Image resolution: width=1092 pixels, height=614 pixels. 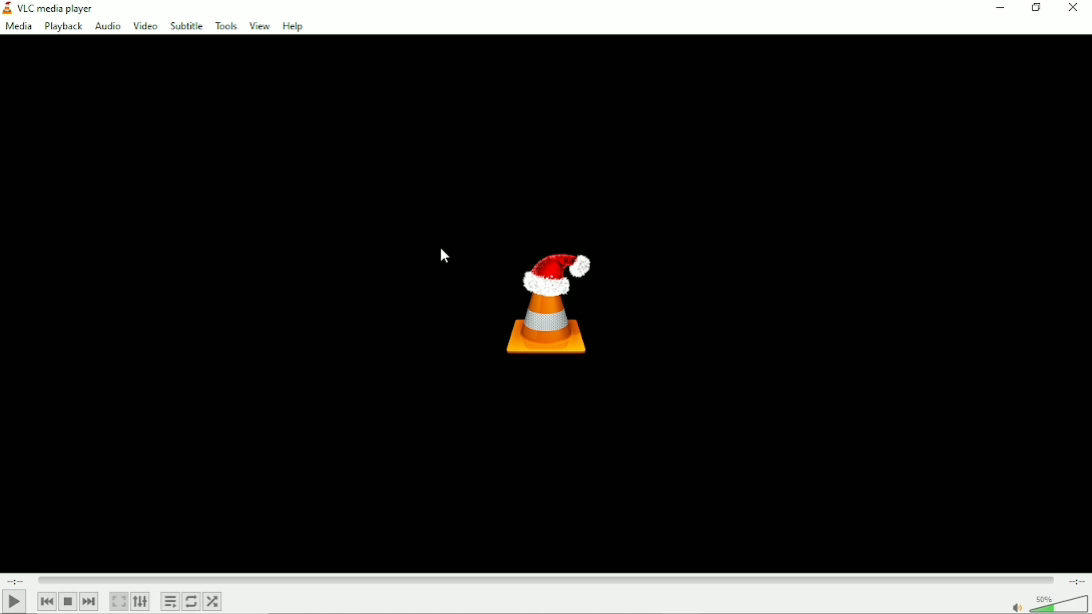 What do you see at coordinates (139, 602) in the screenshot?
I see `Show extended settings` at bounding box center [139, 602].